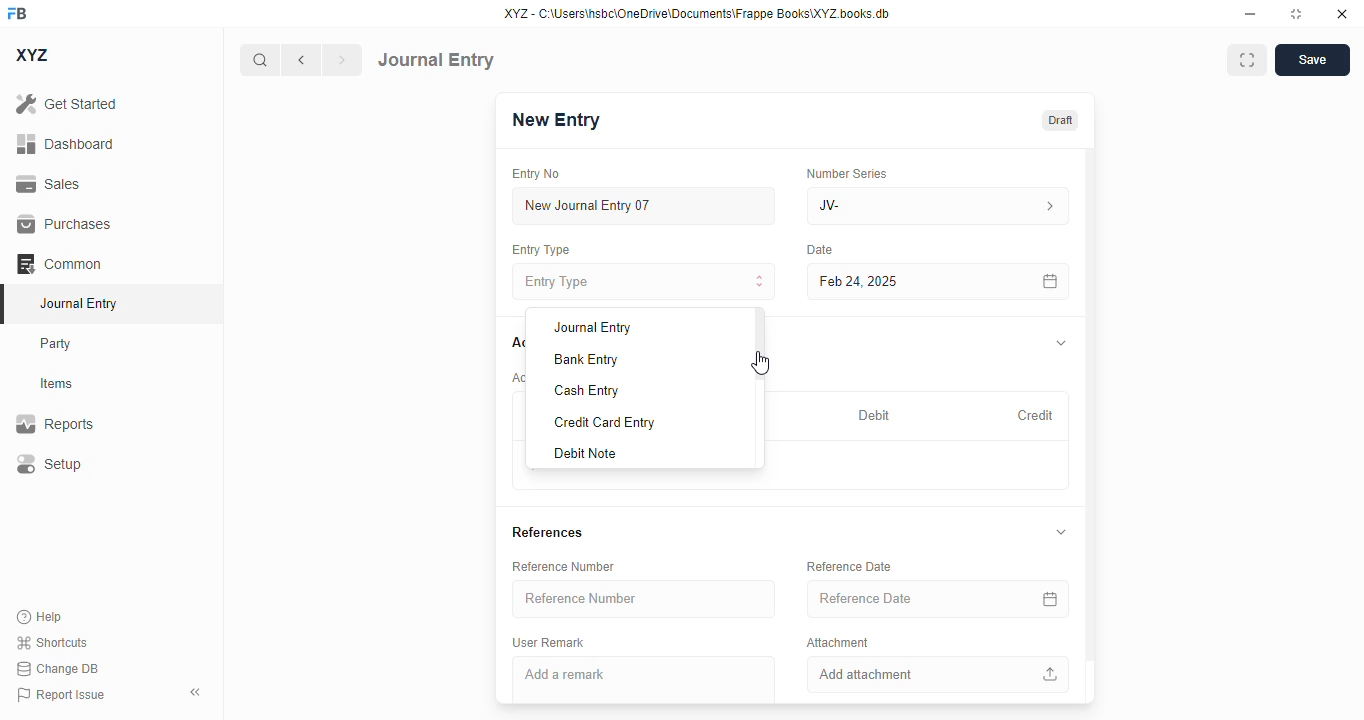  Describe the element at coordinates (645, 599) in the screenshot. I see `reference number` at that location.